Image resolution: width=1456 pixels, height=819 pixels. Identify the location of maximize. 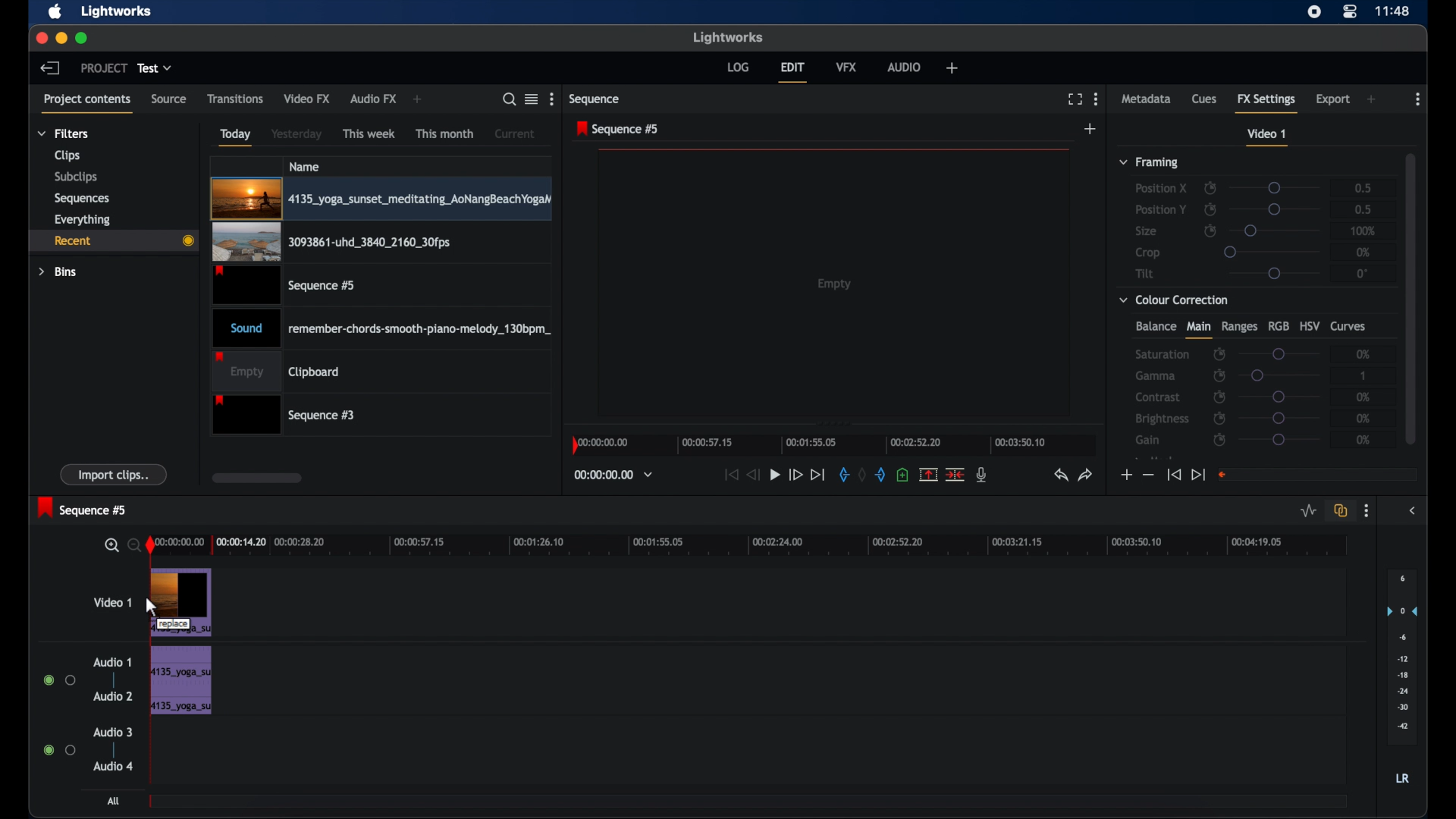
(82, 38).